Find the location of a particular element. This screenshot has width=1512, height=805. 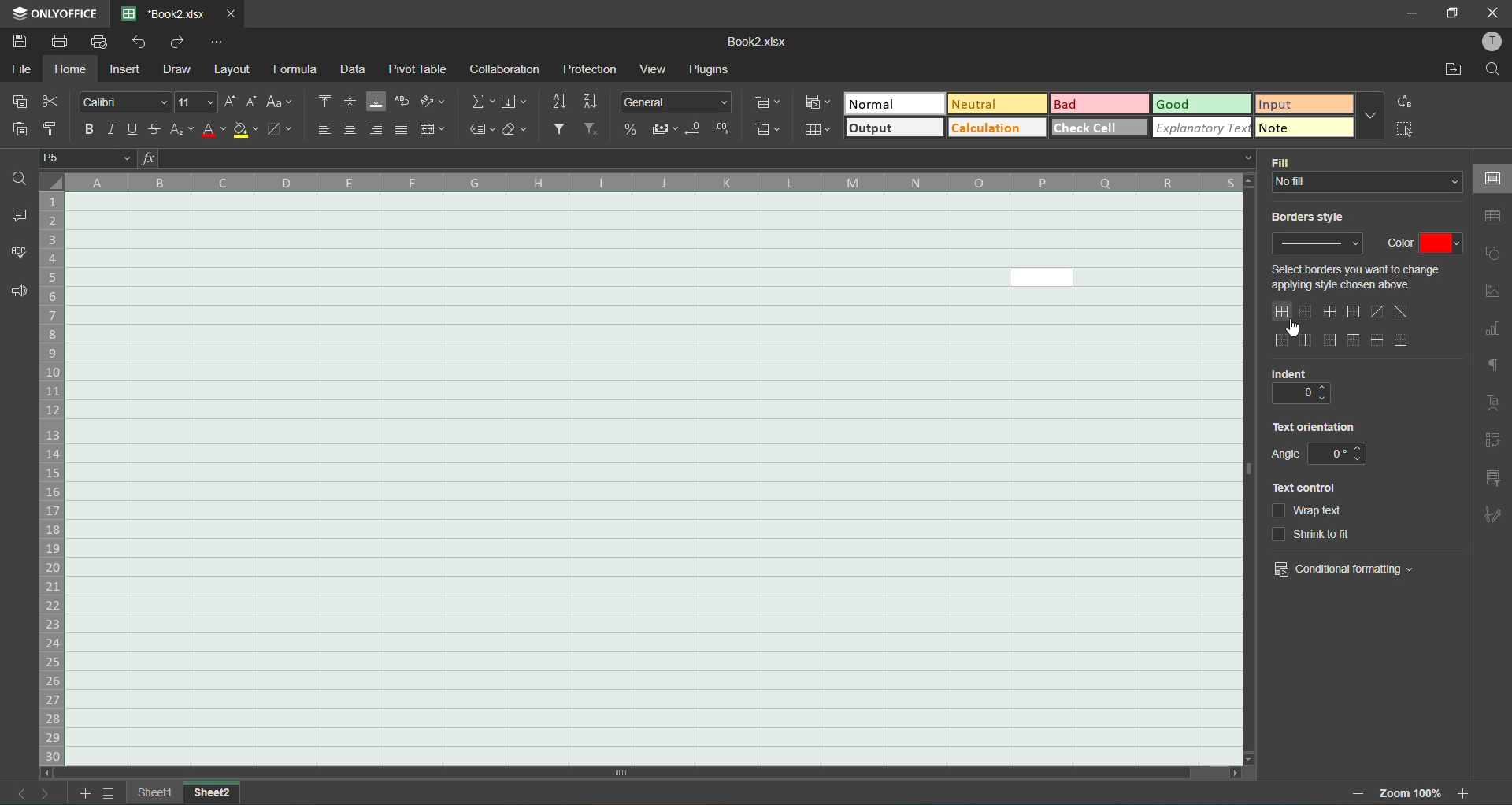

font size is located at coordinates (198, 102).